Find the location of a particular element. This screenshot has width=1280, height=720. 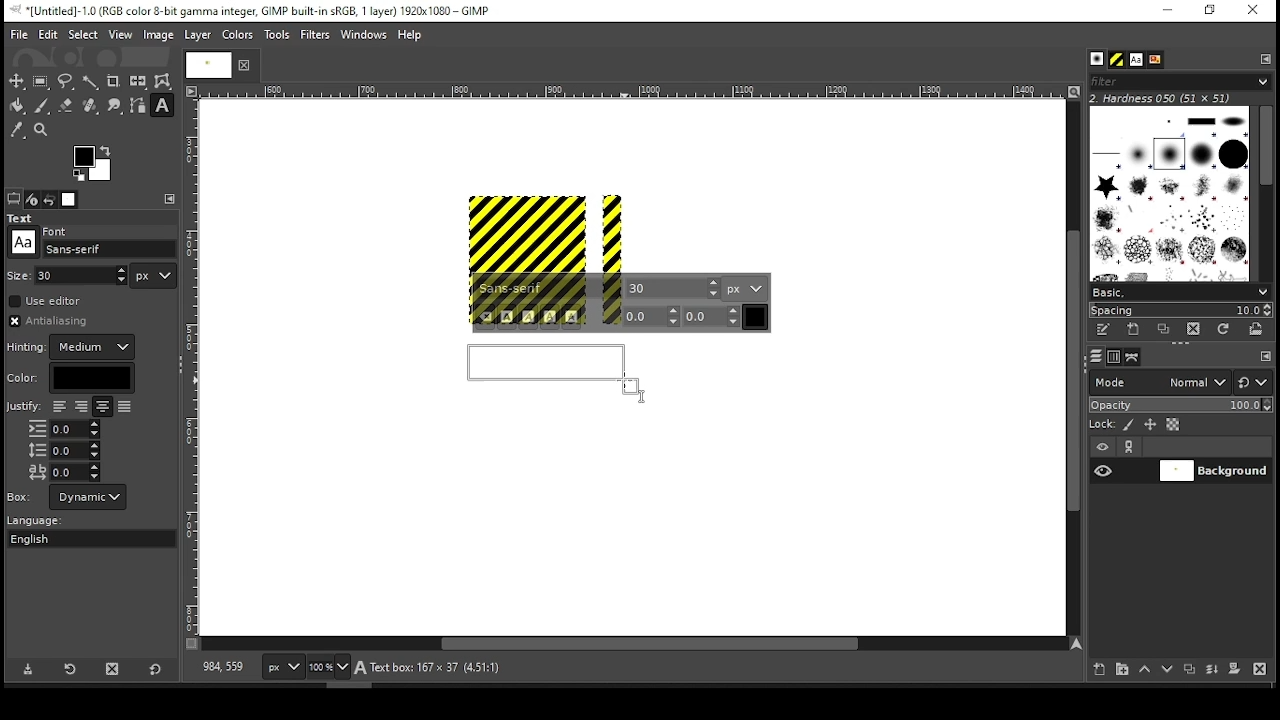

spacing is located at coordinates (1180, 310).